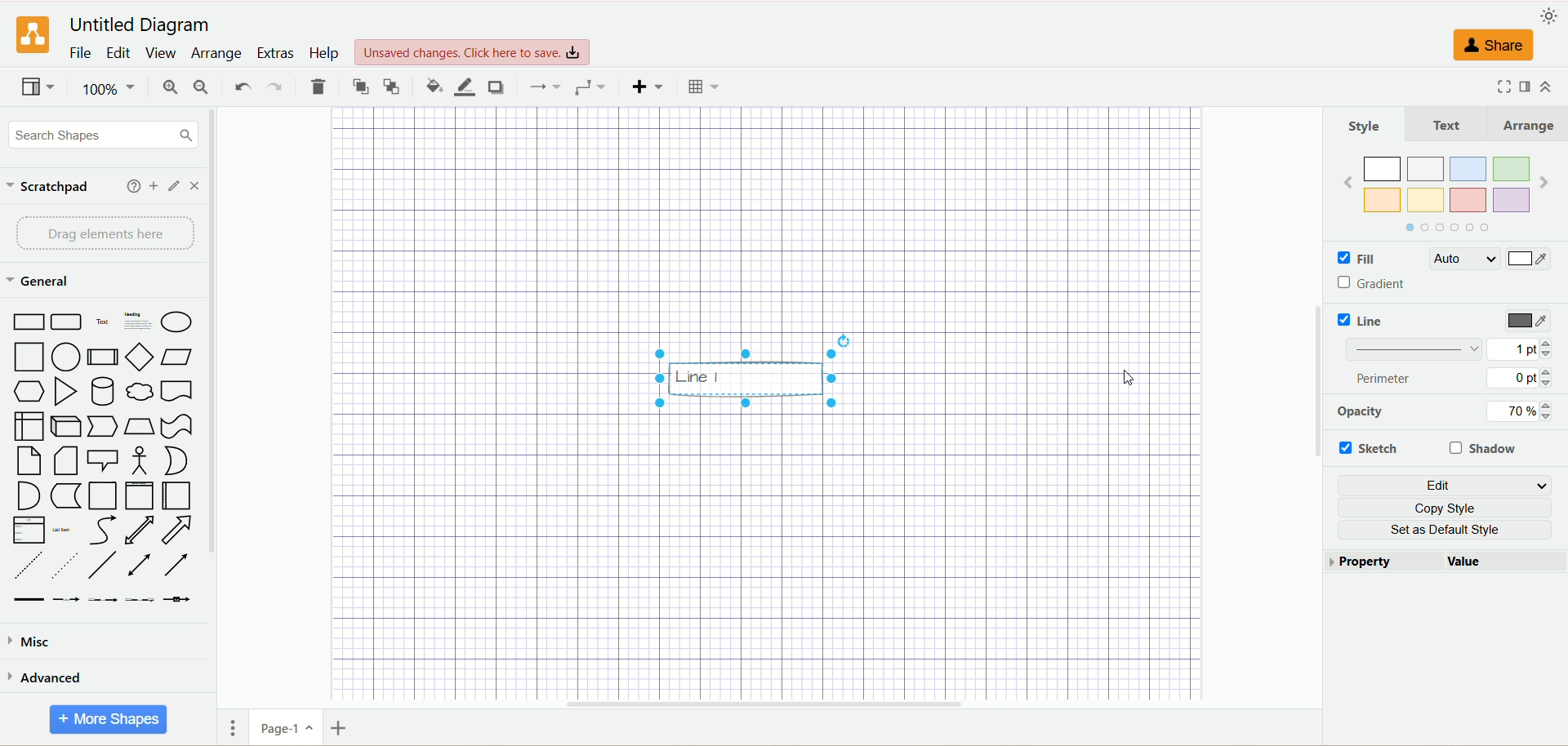 This screenshot has height=746, width=1568. I want to click on Style, so click(1365, 127).